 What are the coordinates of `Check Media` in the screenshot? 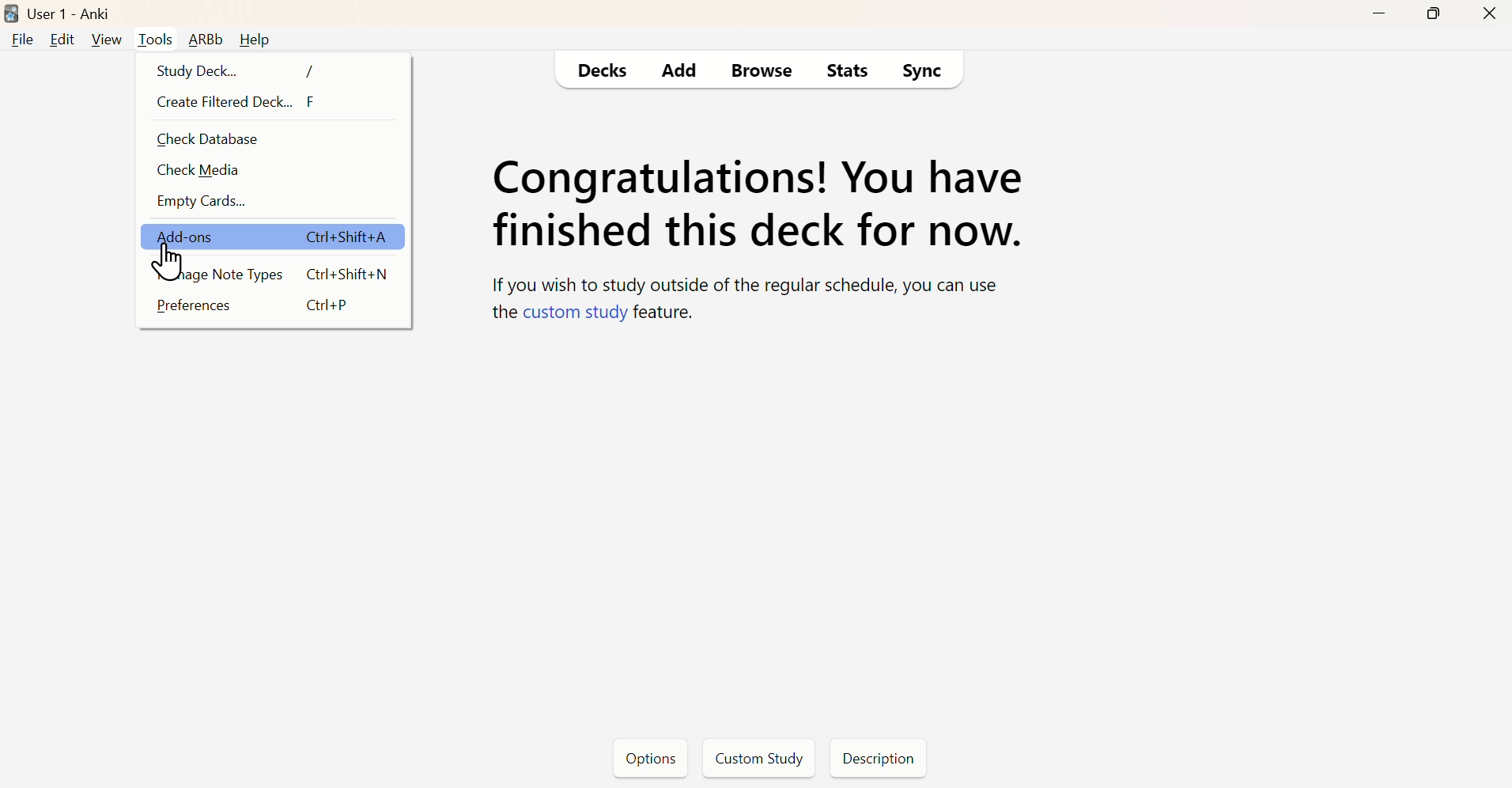 It's located at (196, 171).